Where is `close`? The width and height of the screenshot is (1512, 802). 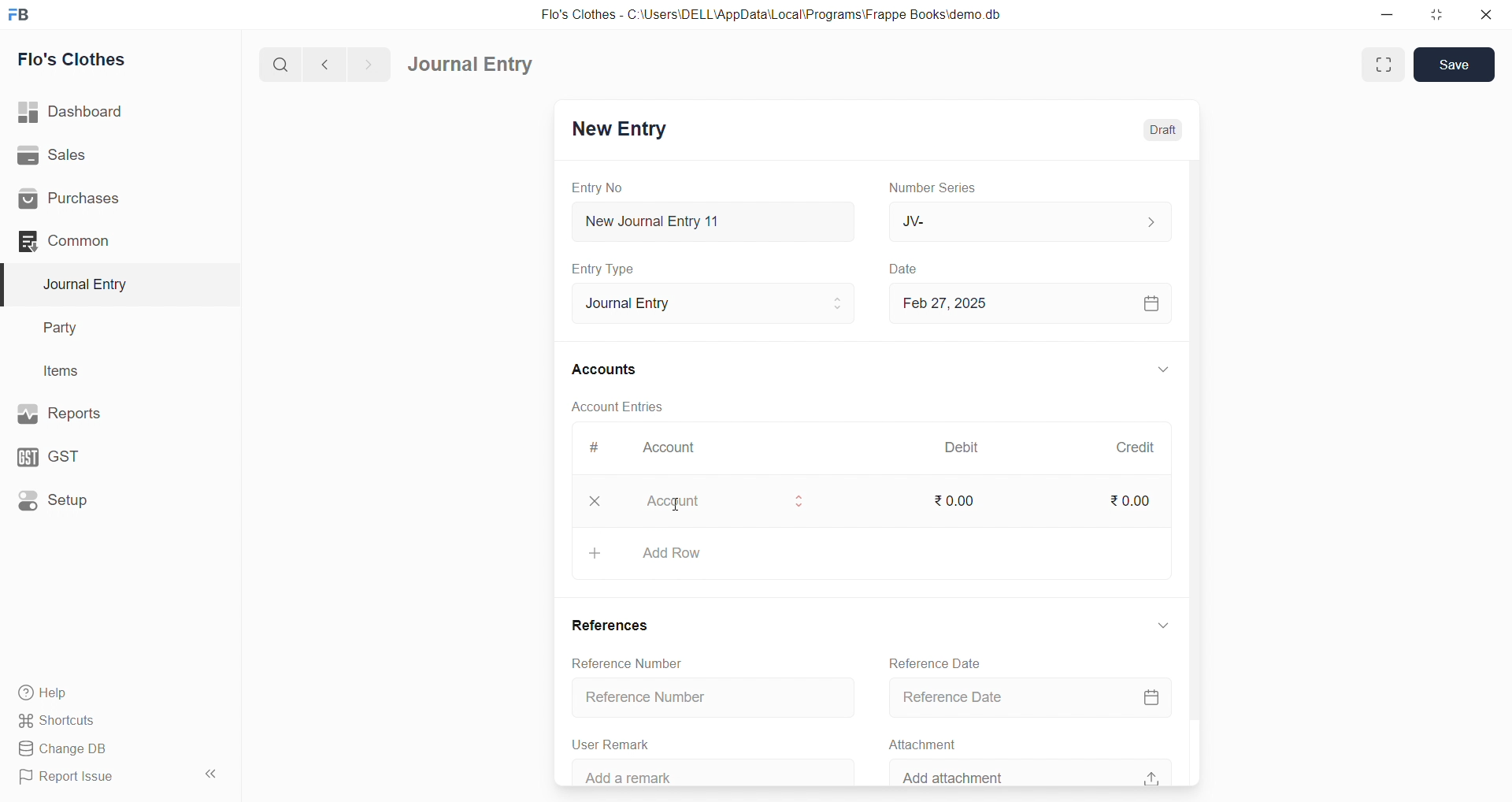 close is located at coordinates (1488, 14).